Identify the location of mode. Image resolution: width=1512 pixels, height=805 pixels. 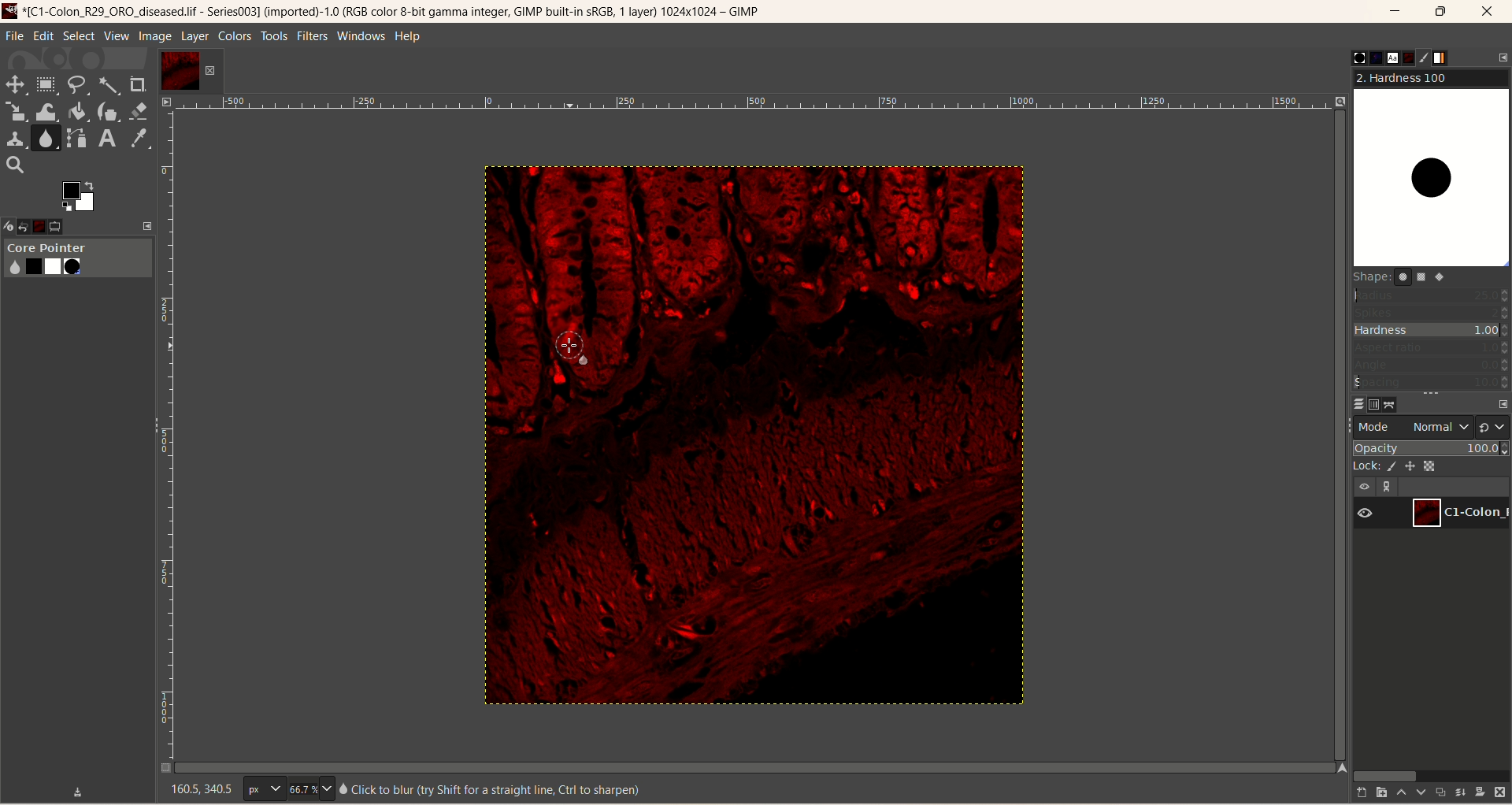
(1376, 426).